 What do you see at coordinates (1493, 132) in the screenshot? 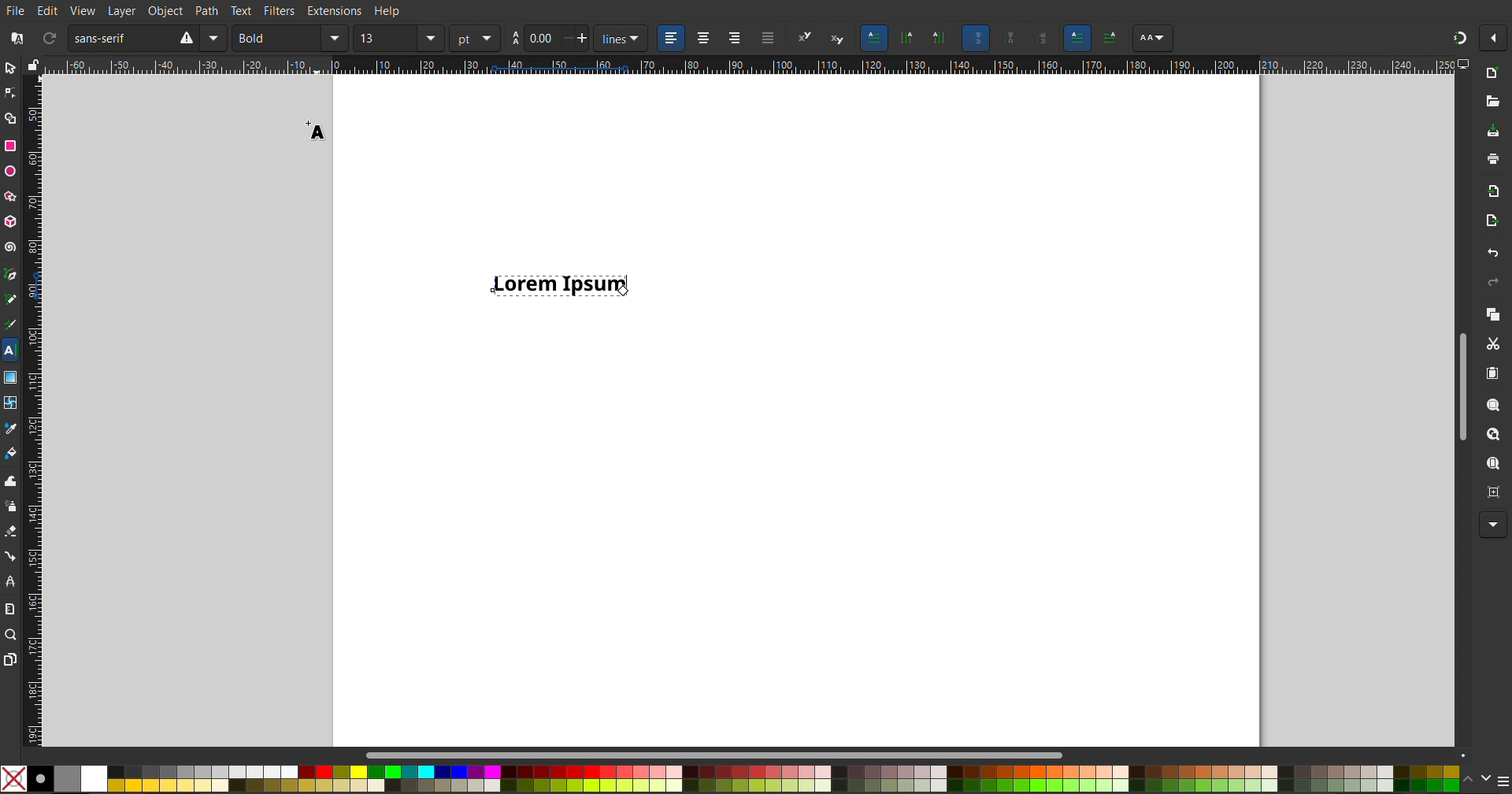
I see `Save` at bounding box center [1493, 132].